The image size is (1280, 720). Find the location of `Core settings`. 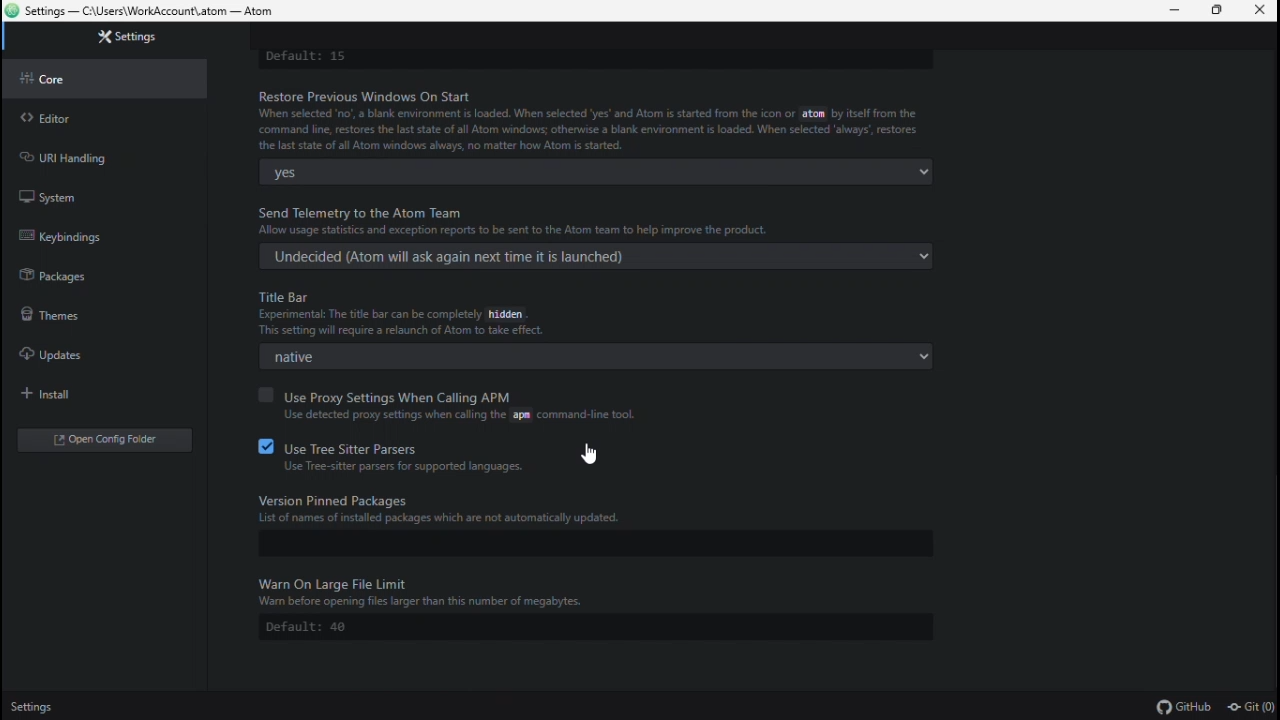

Core settings is located at coordinates (102, 79).